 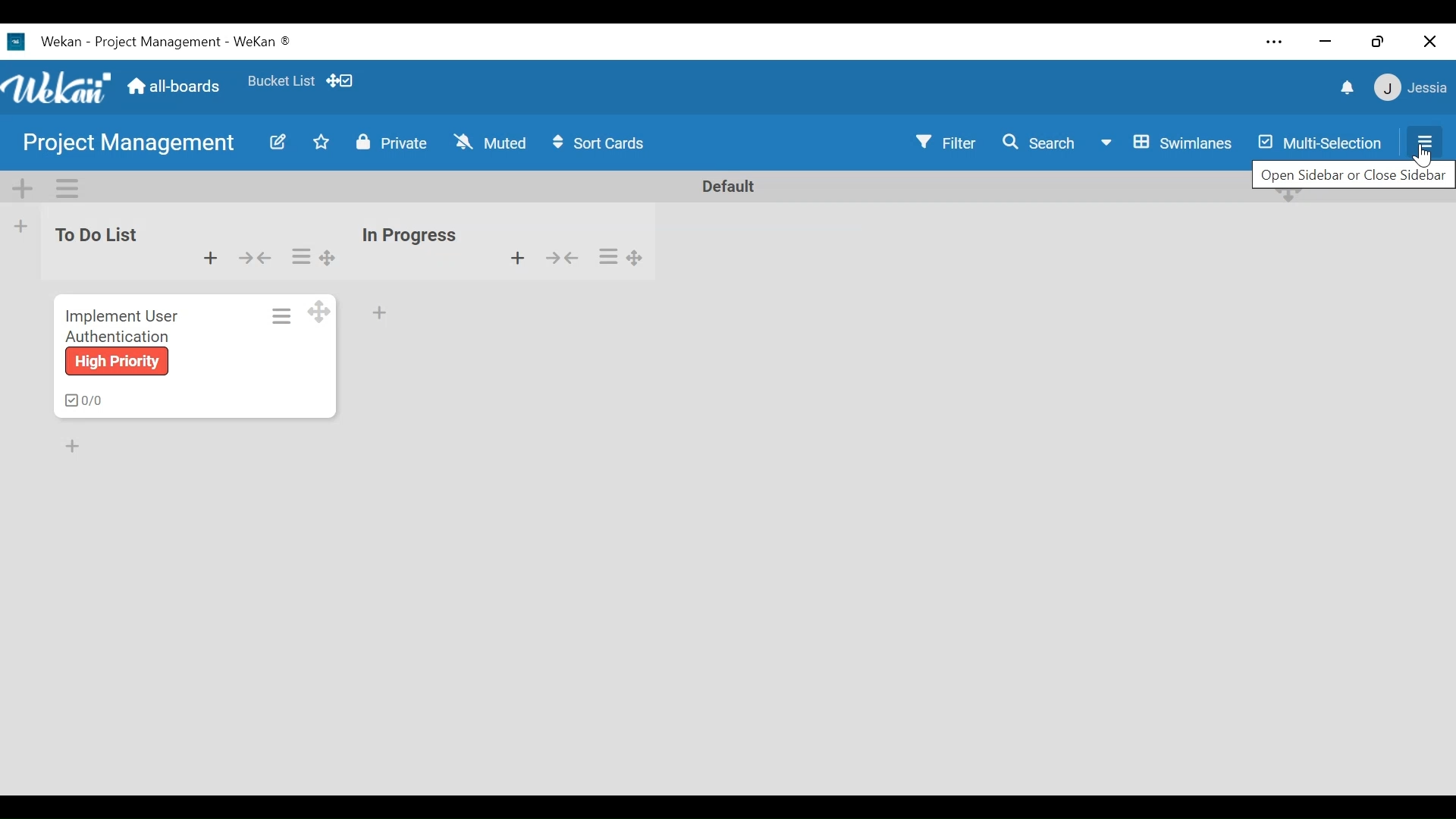 What do you see at coordinates (1353, 173) in the screenshot?
I see `1
Open Sidebar or Close Sidebar` at bounding box center [1353, 173].